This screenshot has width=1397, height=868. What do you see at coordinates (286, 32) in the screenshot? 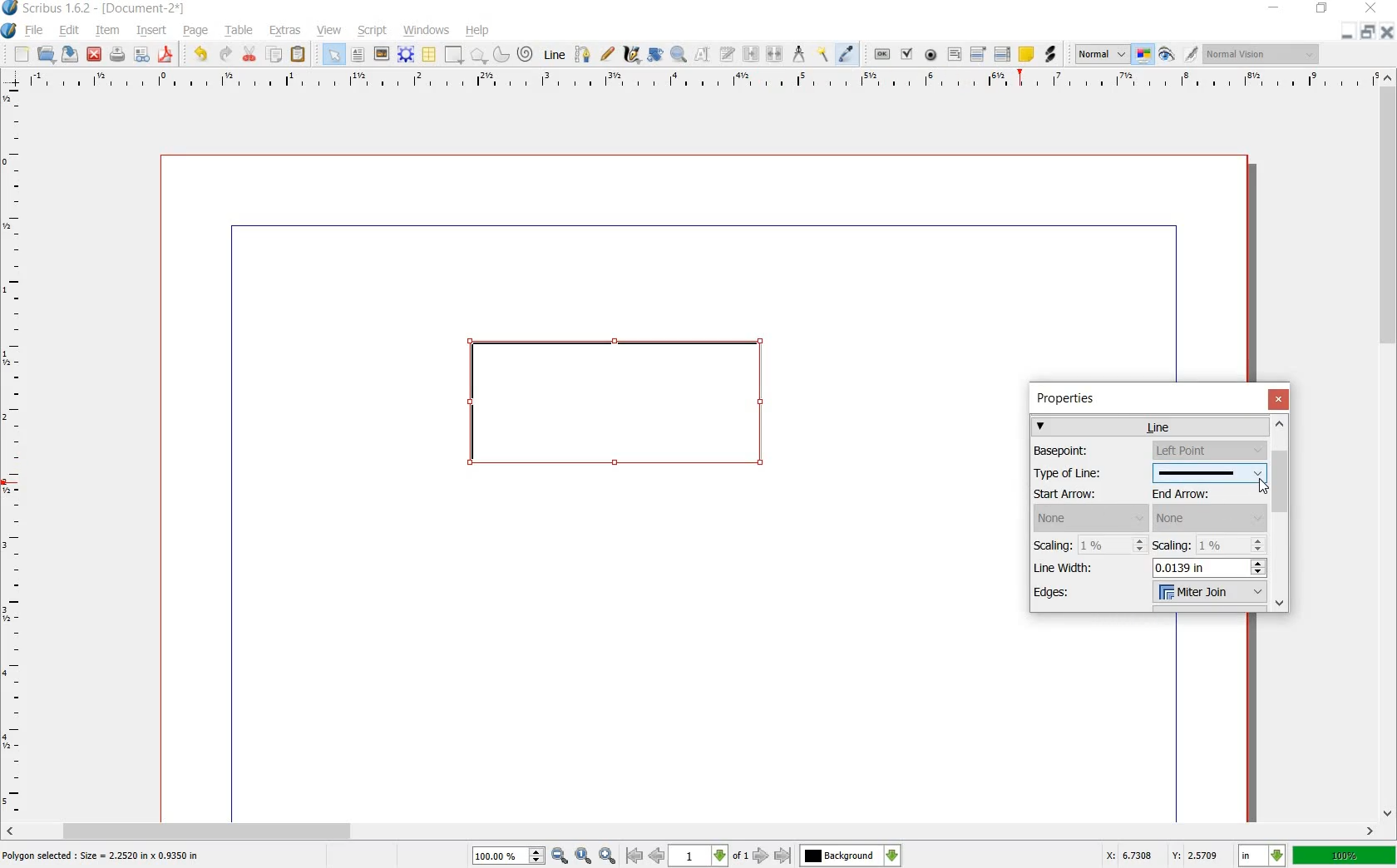
I see `EXTRAS` at bounding box center [286, 32].